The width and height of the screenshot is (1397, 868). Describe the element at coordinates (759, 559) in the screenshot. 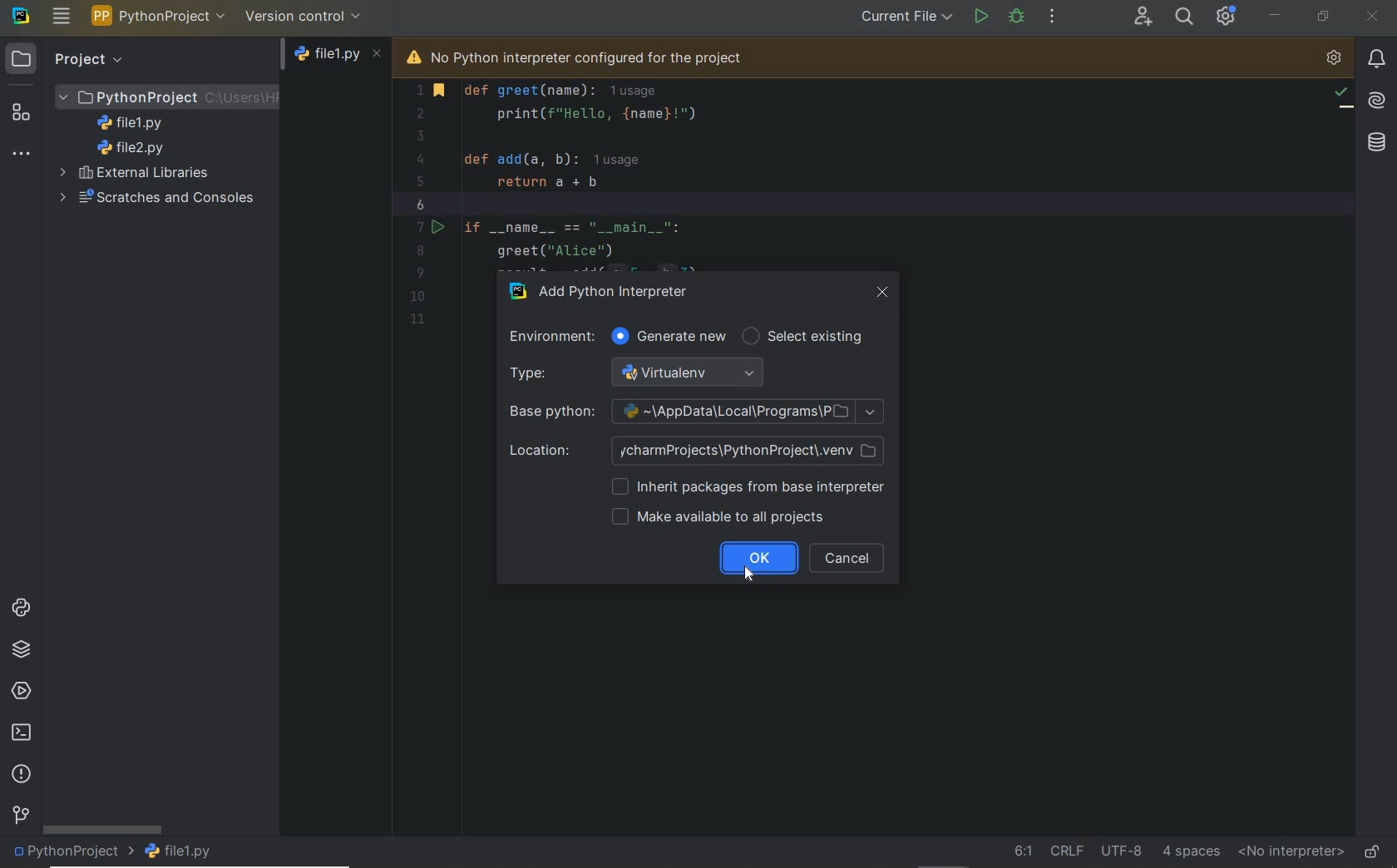

I see `Ok` at that location.